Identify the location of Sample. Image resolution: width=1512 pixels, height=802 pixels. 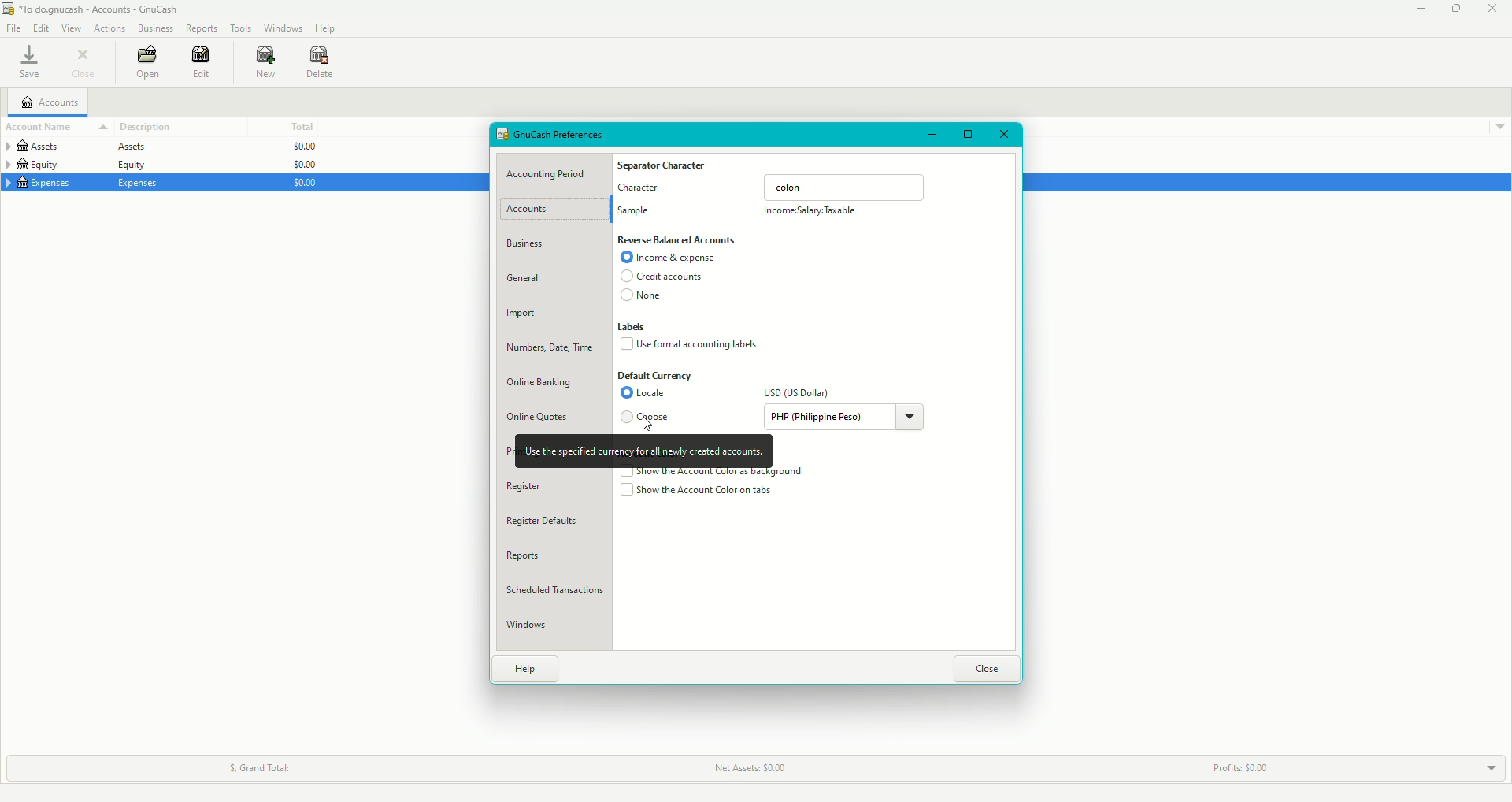
(636, 212).